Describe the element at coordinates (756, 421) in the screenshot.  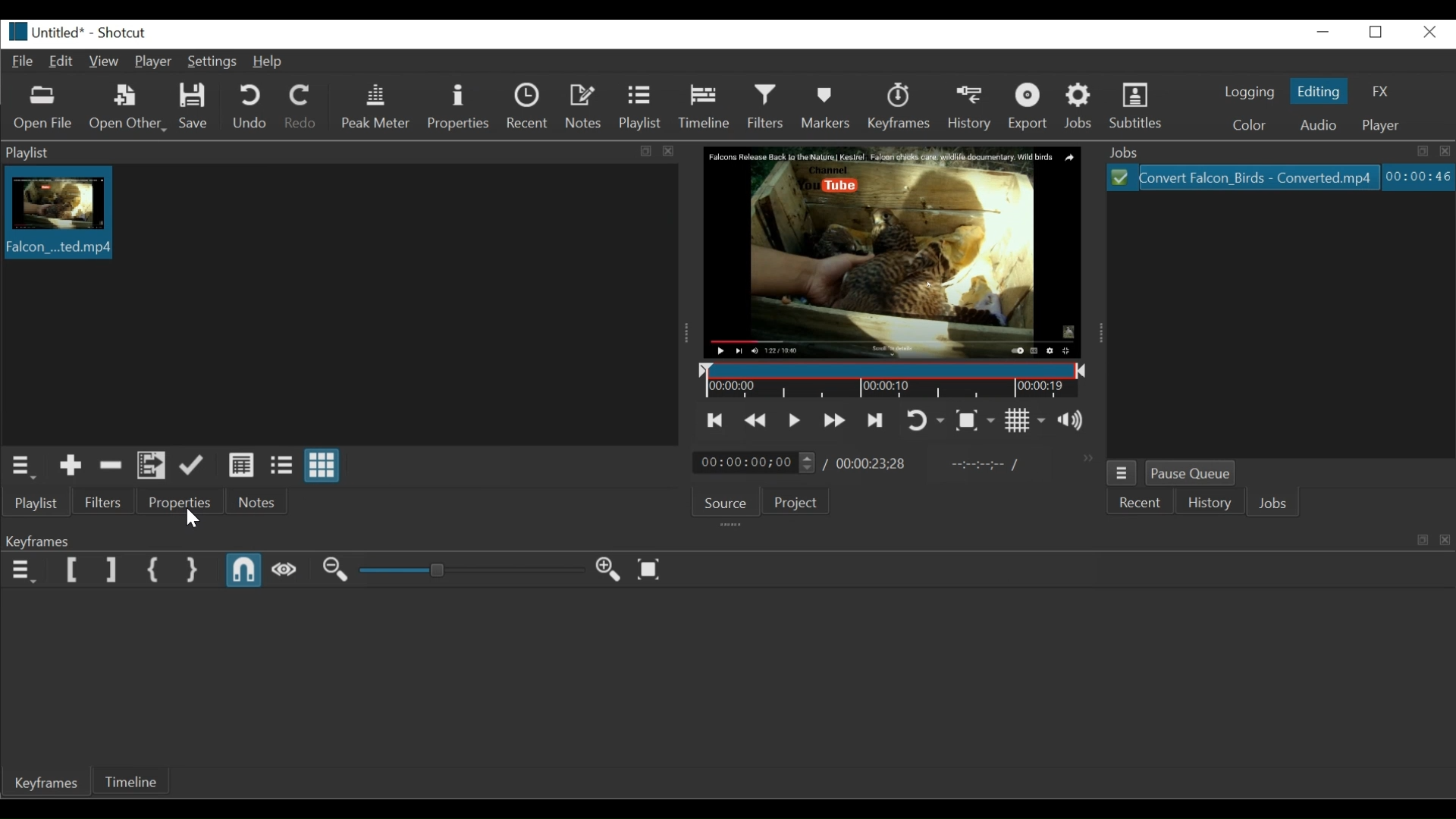
I see `Play quickly backward` at that location.